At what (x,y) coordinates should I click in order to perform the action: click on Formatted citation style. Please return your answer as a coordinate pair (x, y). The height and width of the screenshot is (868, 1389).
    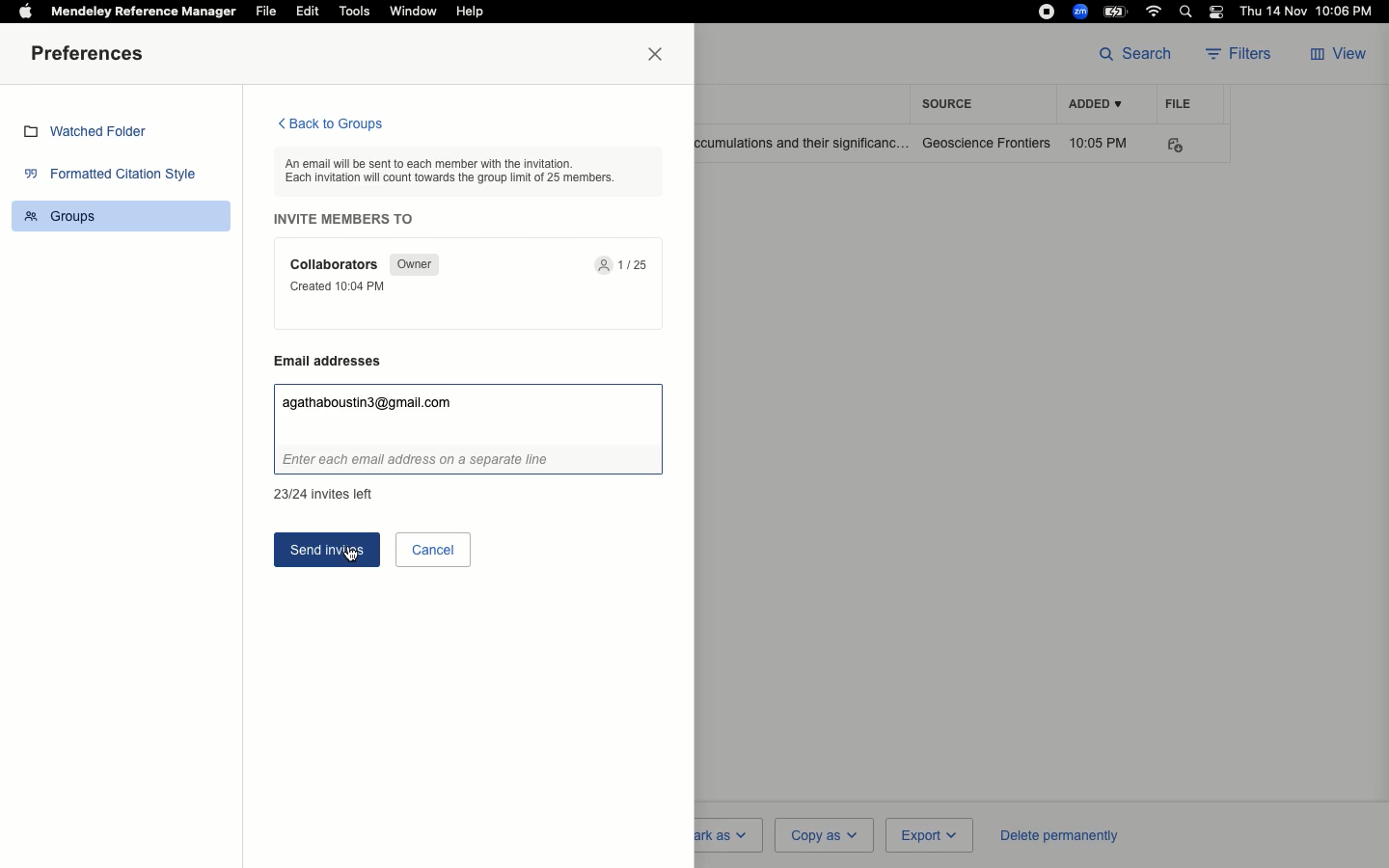
    Looking at the image, I should click on (116, 176).